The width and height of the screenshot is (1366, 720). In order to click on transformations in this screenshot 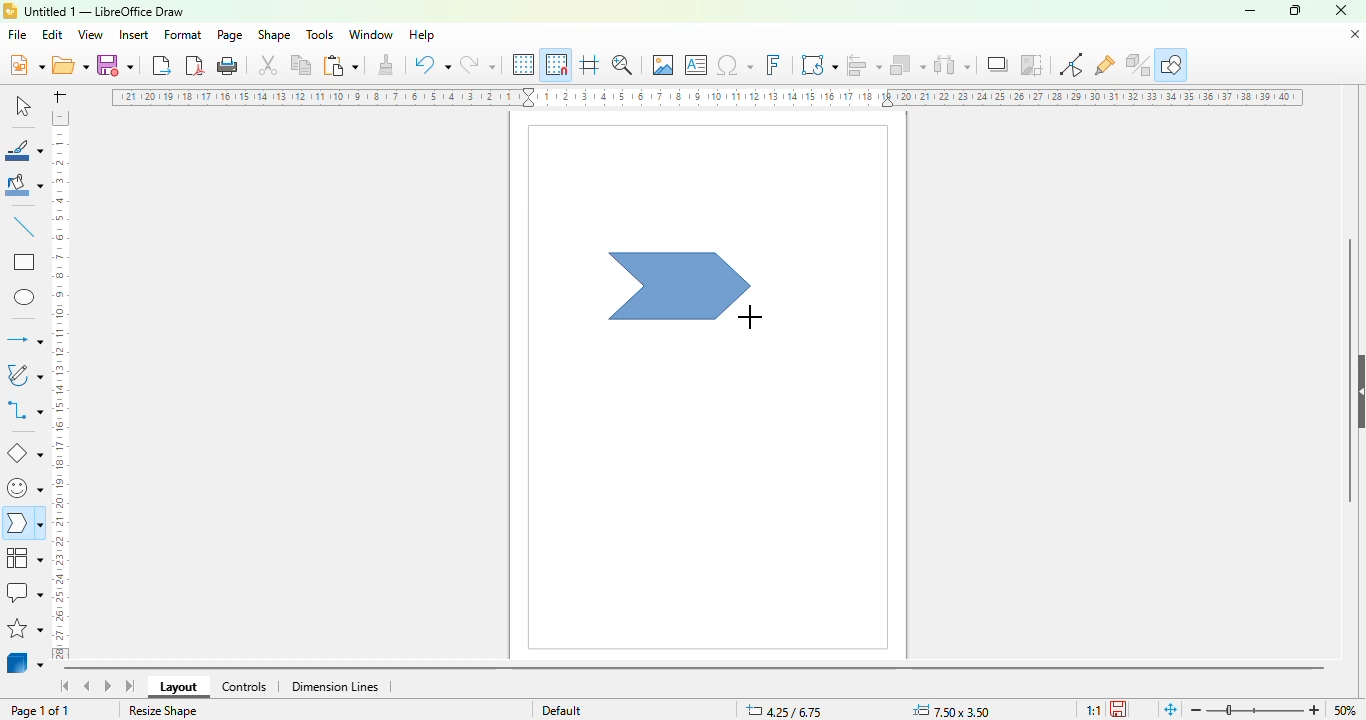, I will do `click(819, 64)`.